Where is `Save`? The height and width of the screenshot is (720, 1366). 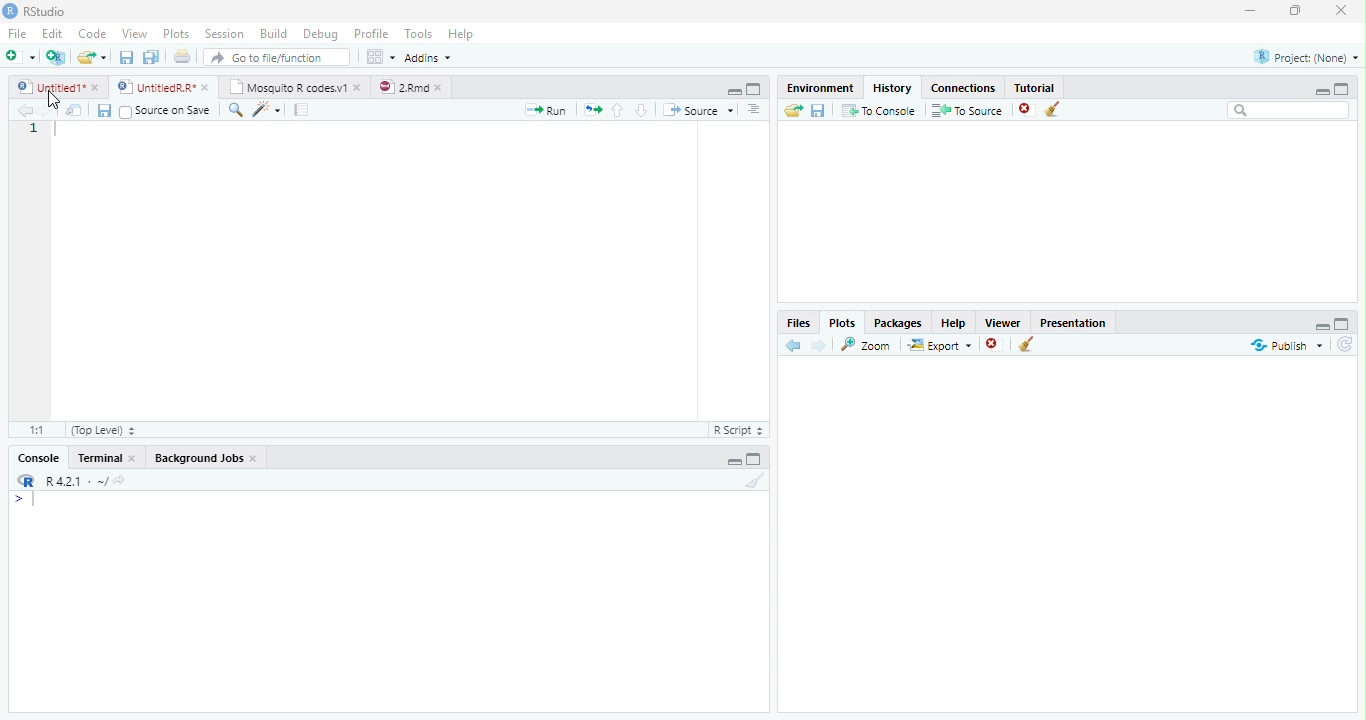 Save is located at coordinates (103, 110).